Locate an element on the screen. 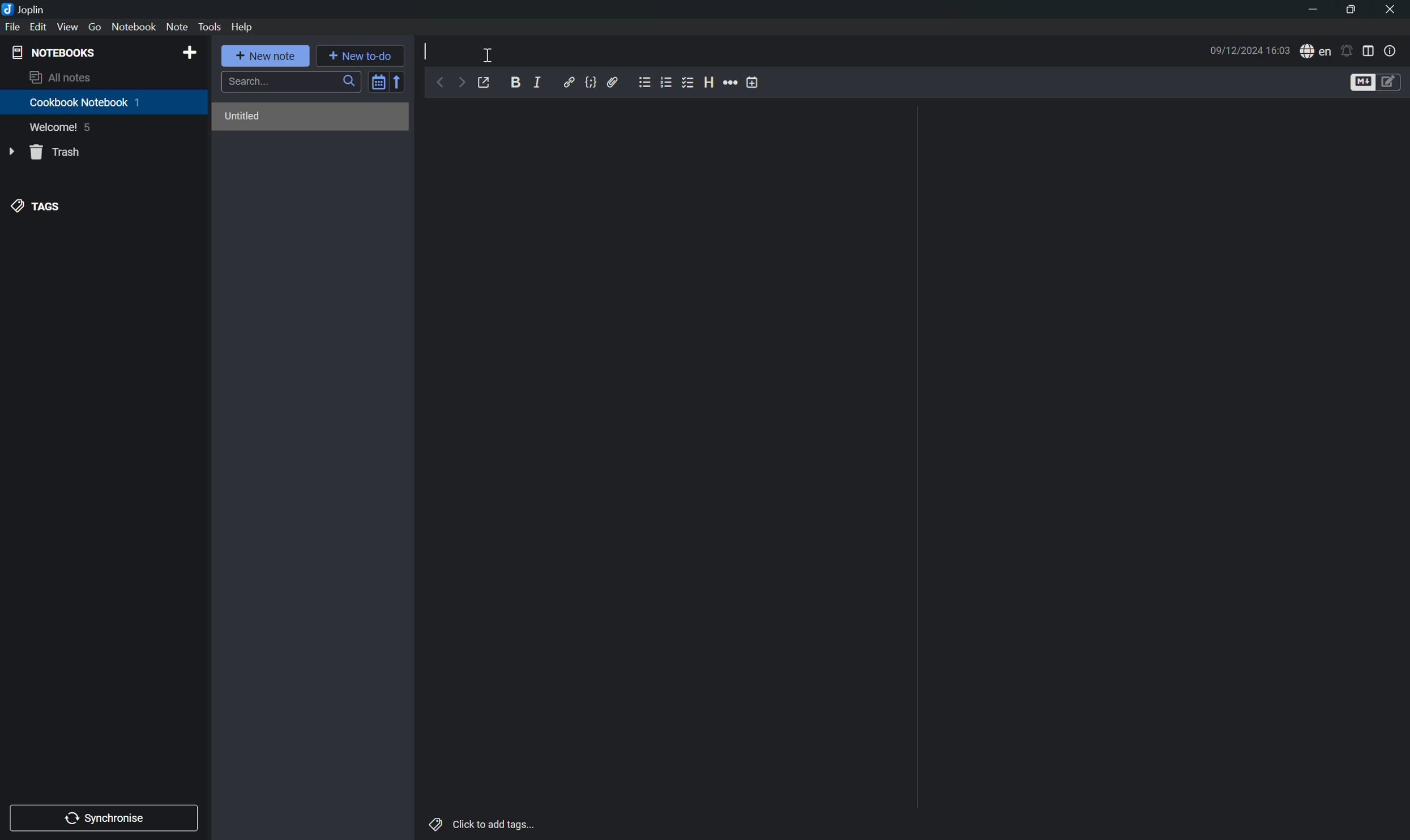 The height and width of the screenshot is (840, 1410). Numbered list is located at coordinates (665, 81).